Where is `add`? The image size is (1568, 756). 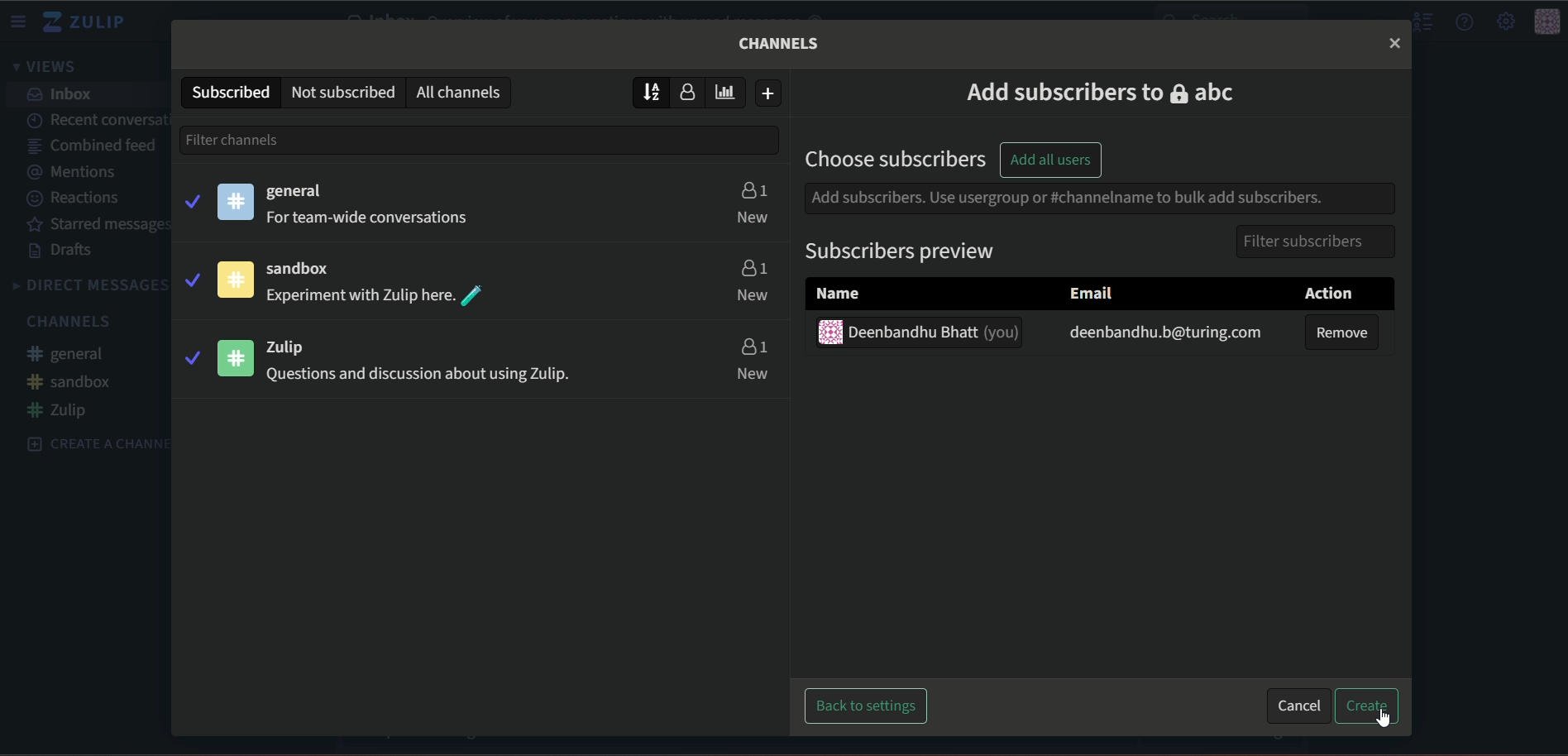 add is located at coordinates (770, 93).